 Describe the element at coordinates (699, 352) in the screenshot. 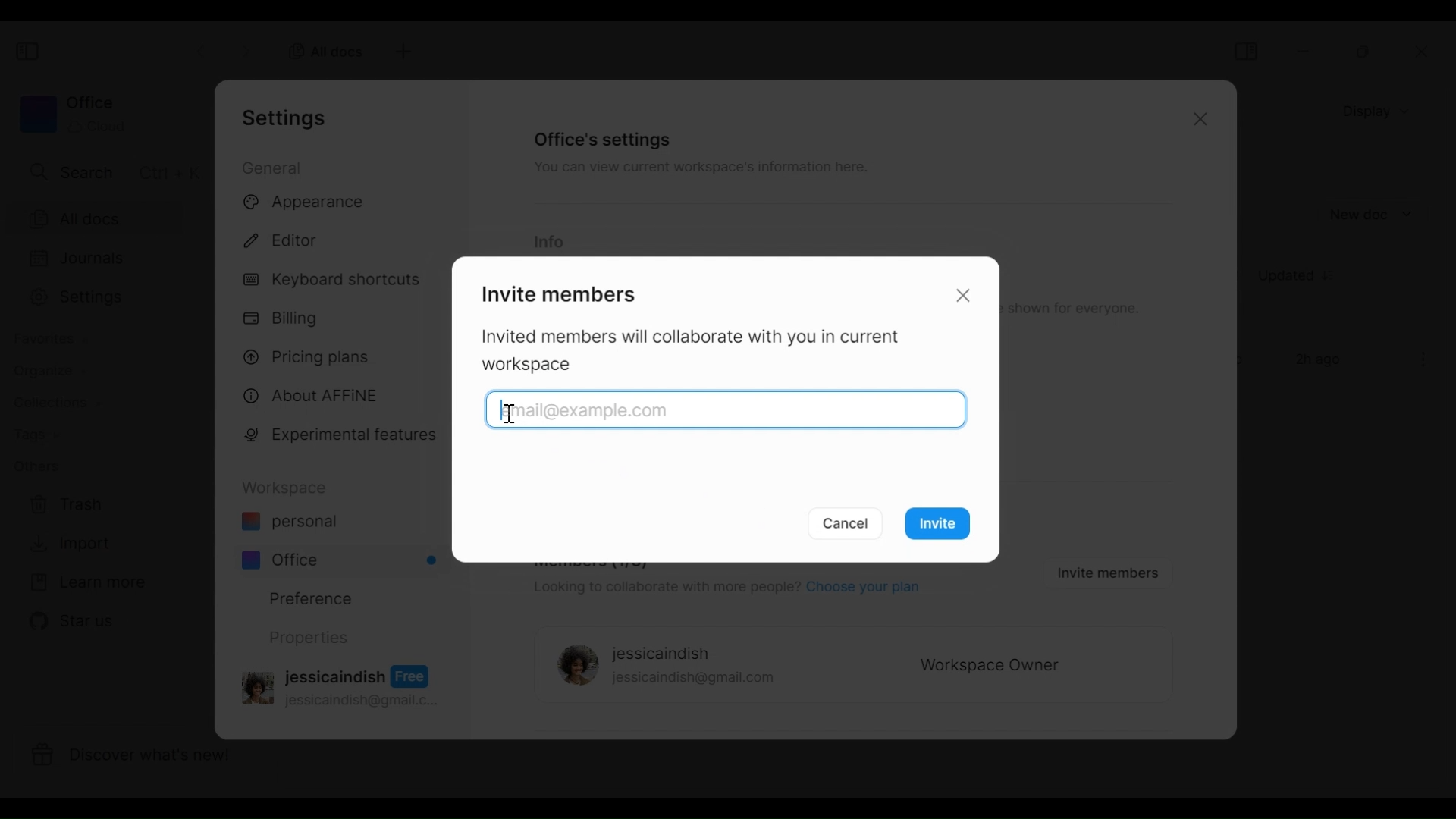

I see `Invited members will collaborate with you in current
workspace` at that location.